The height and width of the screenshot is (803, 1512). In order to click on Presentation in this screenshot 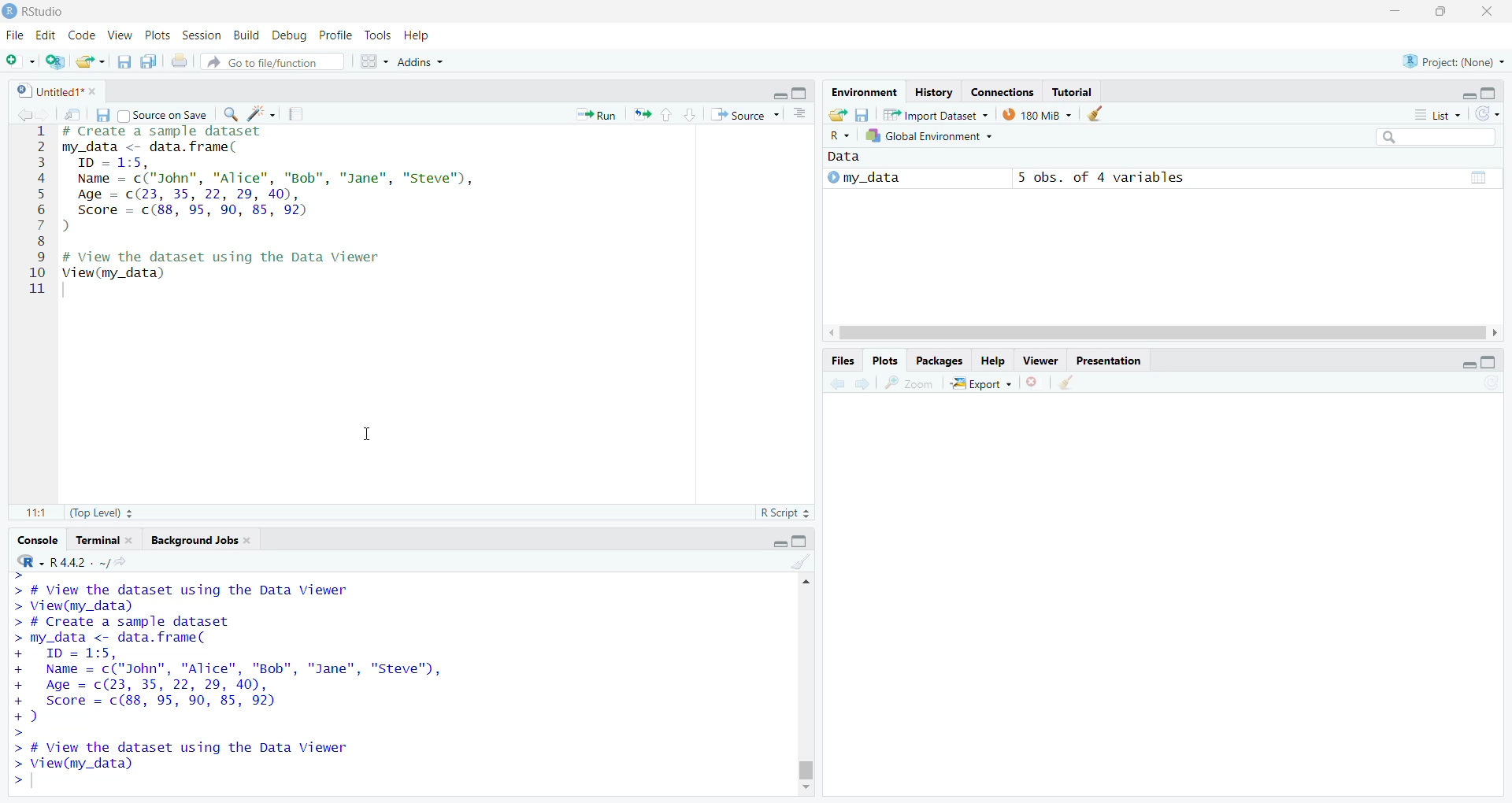, I will do `click(1107, 359)`.